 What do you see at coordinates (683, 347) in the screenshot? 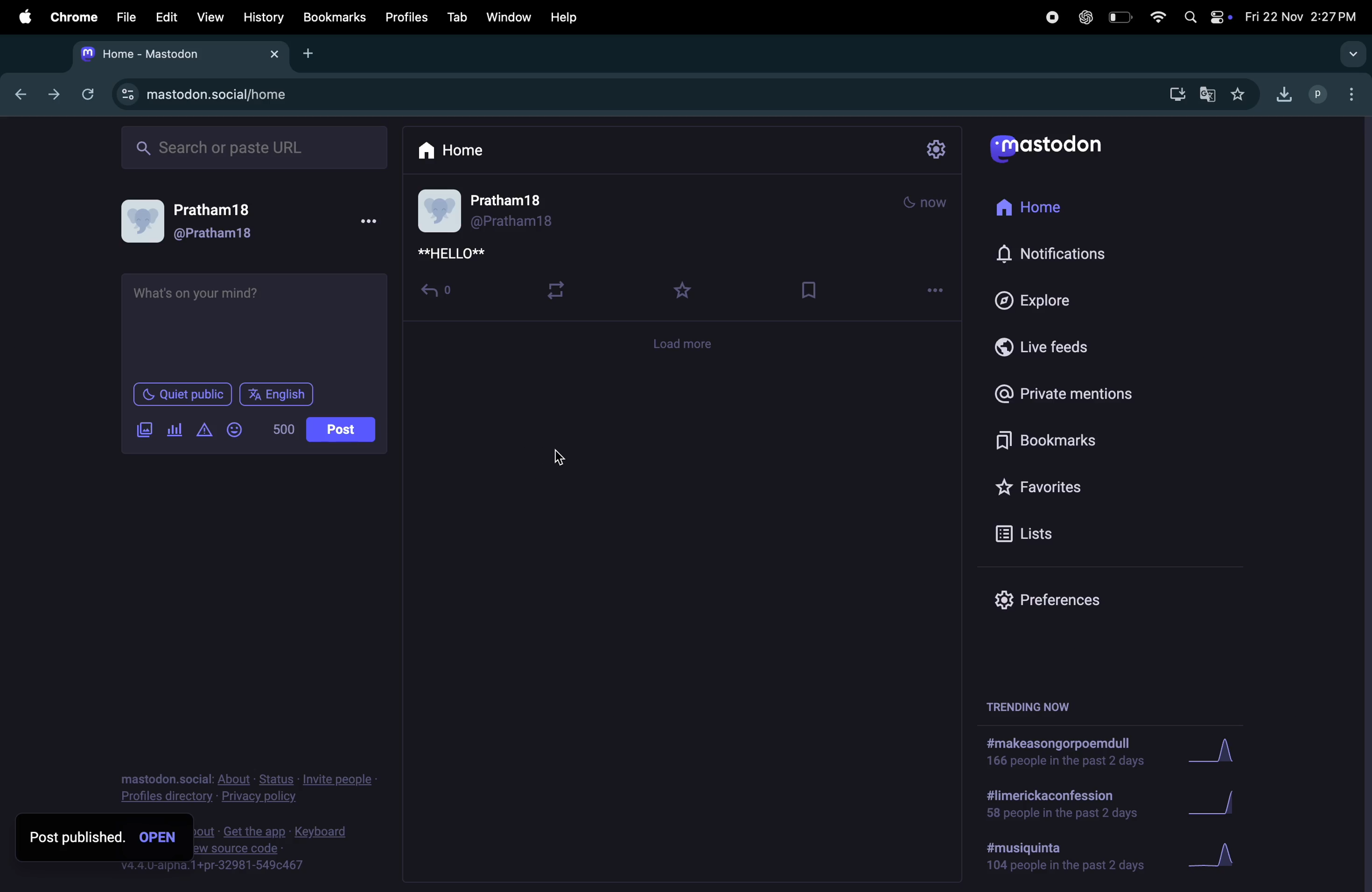
I see `load more` at bounding box center [683, 347].